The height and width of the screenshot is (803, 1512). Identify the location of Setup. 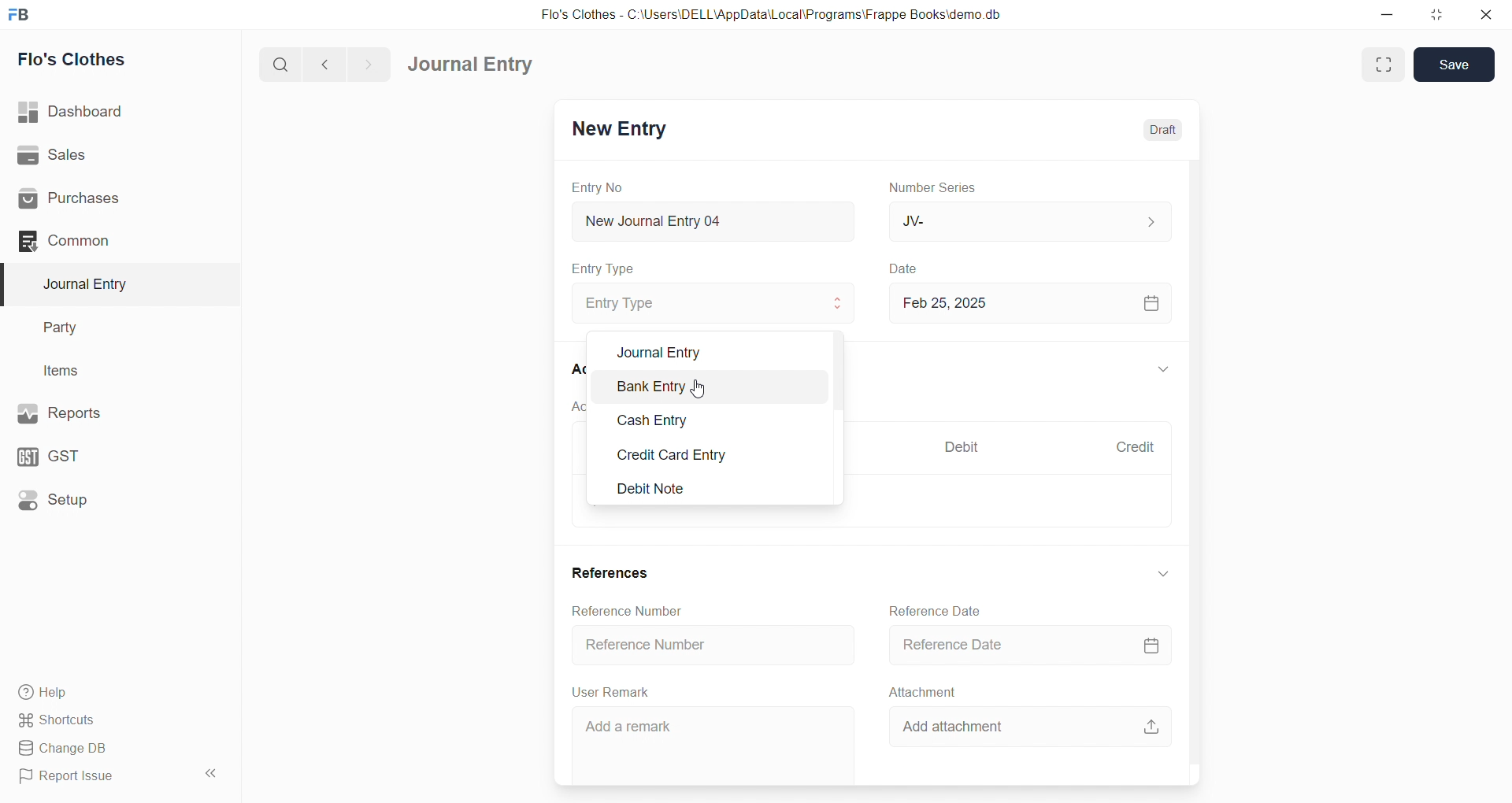
(111, 498).